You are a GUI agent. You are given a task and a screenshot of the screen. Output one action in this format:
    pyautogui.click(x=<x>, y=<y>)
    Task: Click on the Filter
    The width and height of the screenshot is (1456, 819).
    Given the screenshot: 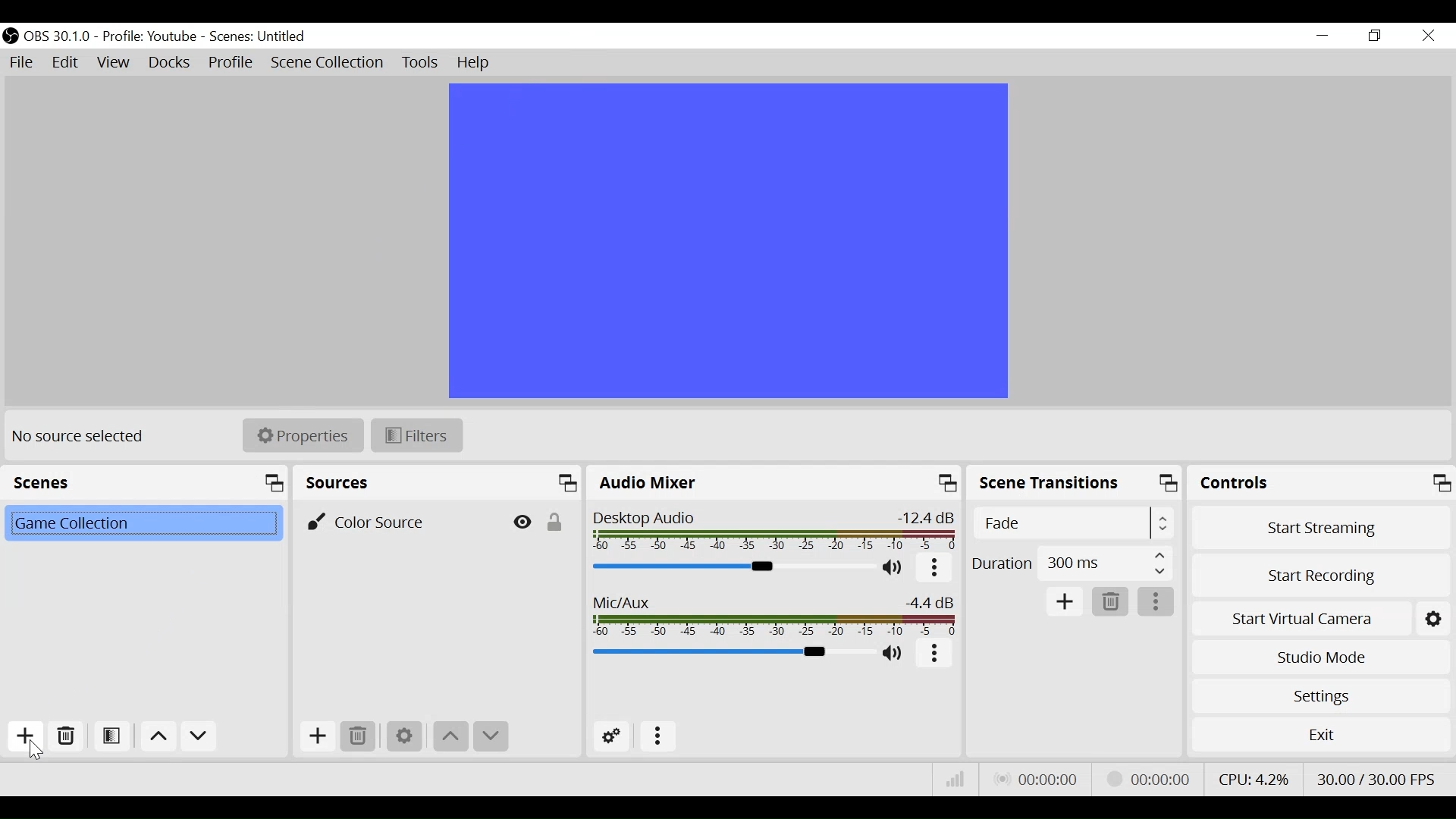 What is the action you would take?
    pyautogui.click(x=415, y=434)
    